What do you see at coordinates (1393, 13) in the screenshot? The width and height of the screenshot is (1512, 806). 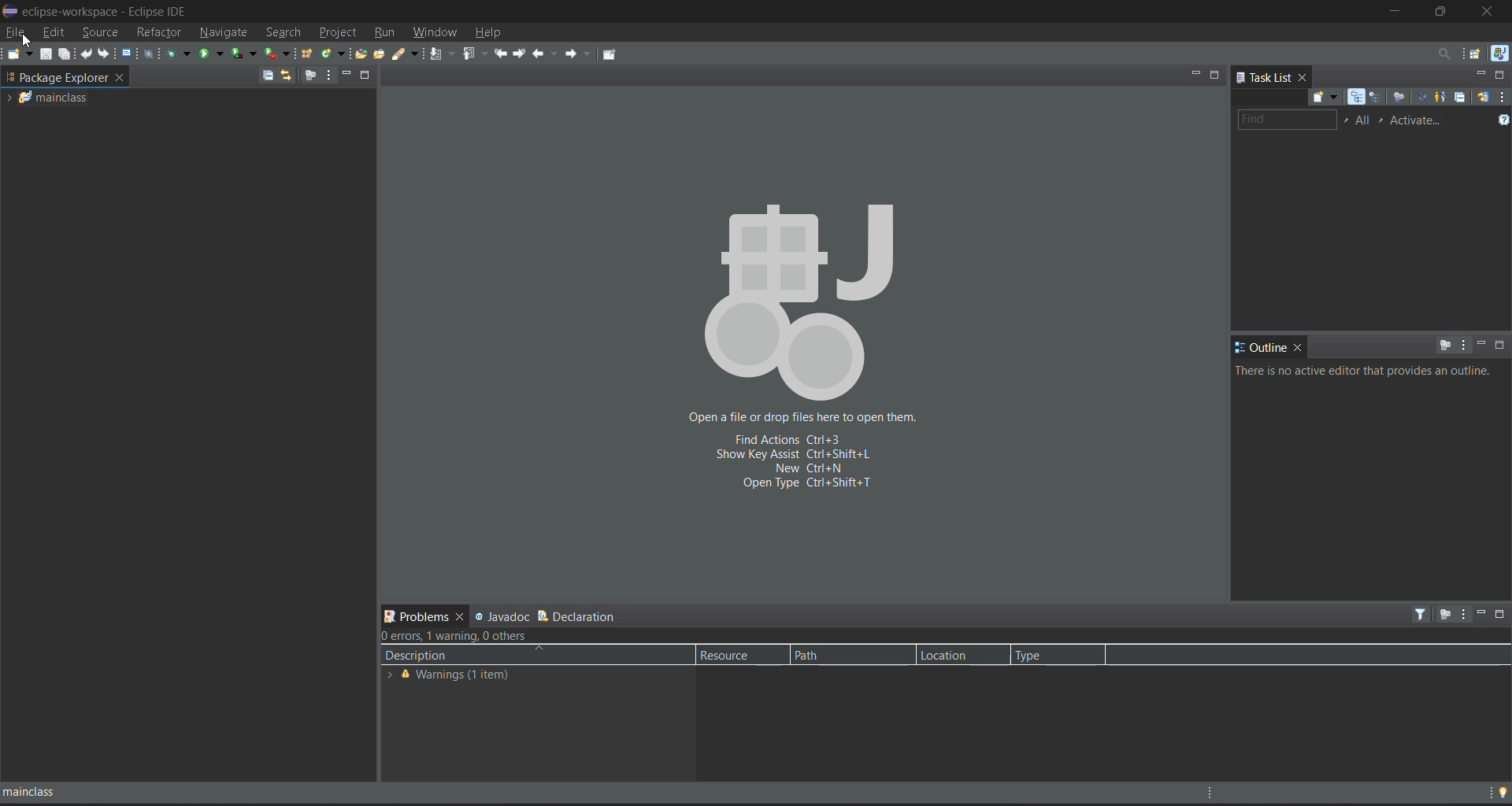 I see `minimize` at bounding box center [1393, 13].